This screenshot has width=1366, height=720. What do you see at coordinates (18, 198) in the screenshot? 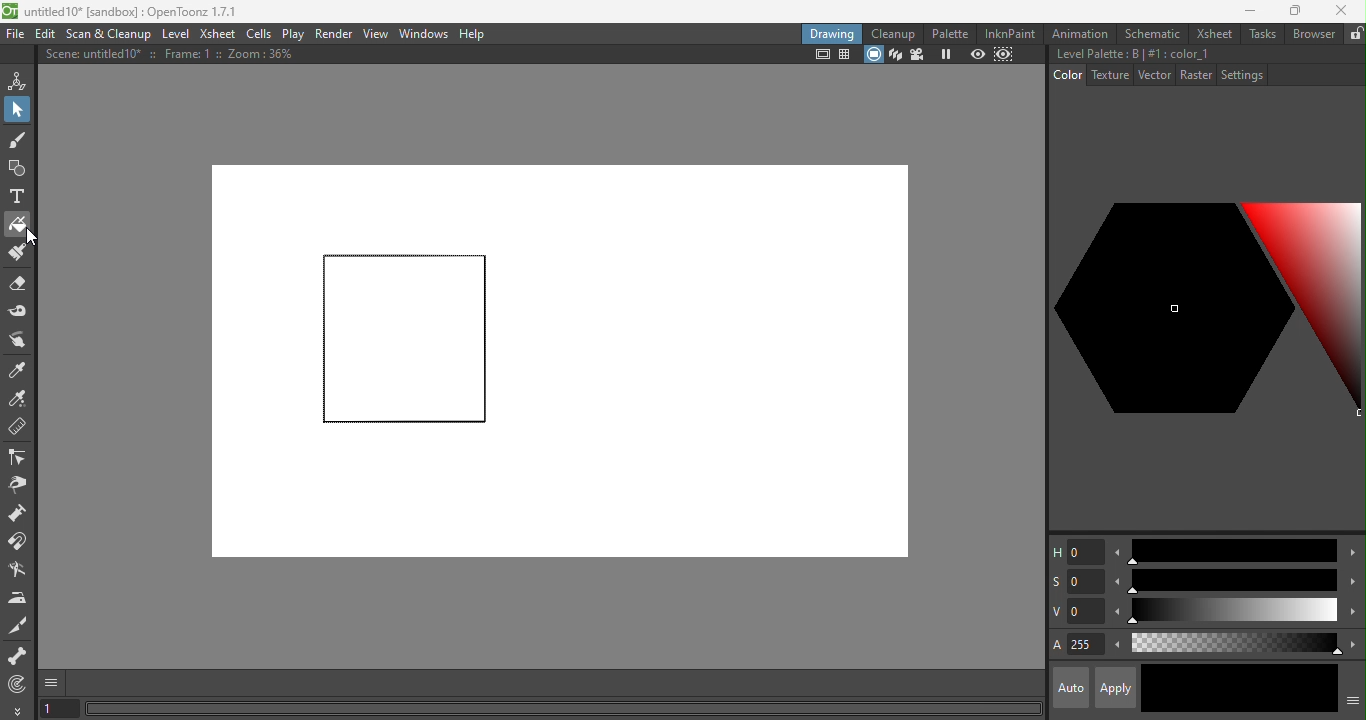
I see `Type tool` at bounding box center [18, 198].